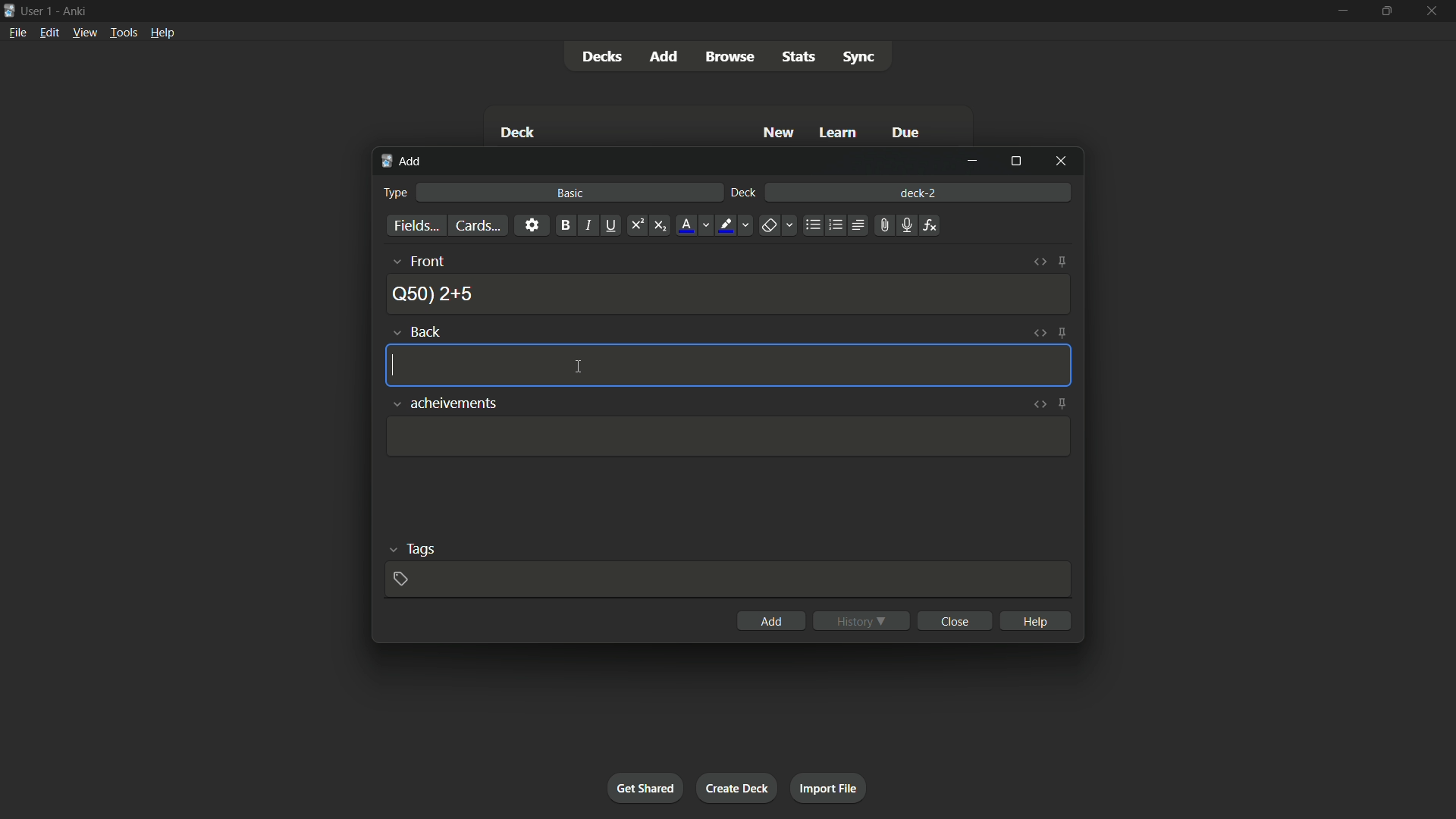  What do you see at coordinates (883, 226) in the screenshot?
I see `attach` at bounding box center [883, 226].